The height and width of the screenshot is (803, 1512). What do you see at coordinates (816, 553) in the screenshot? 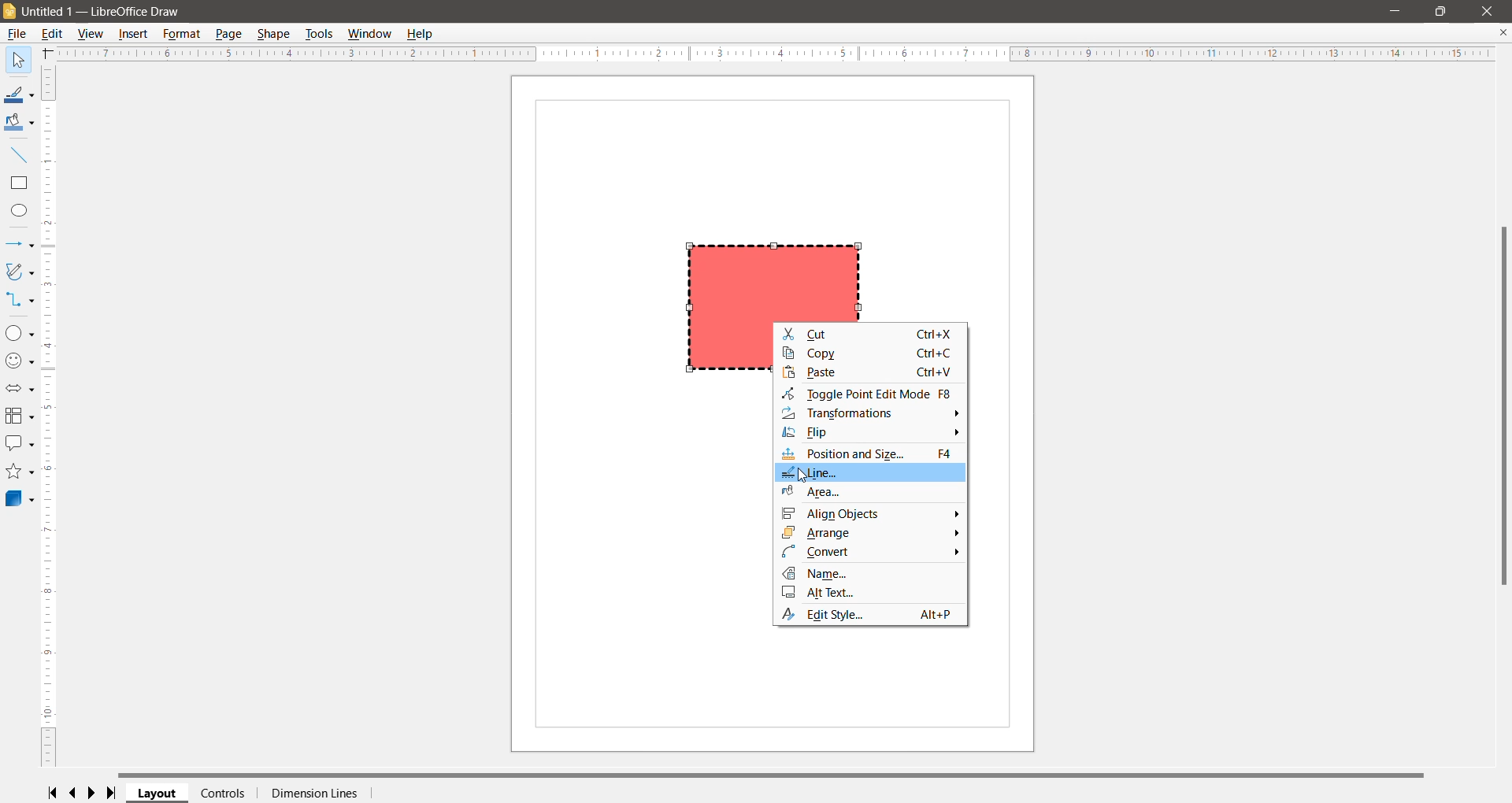
I see `Convert` at bounding box center [816, 553].